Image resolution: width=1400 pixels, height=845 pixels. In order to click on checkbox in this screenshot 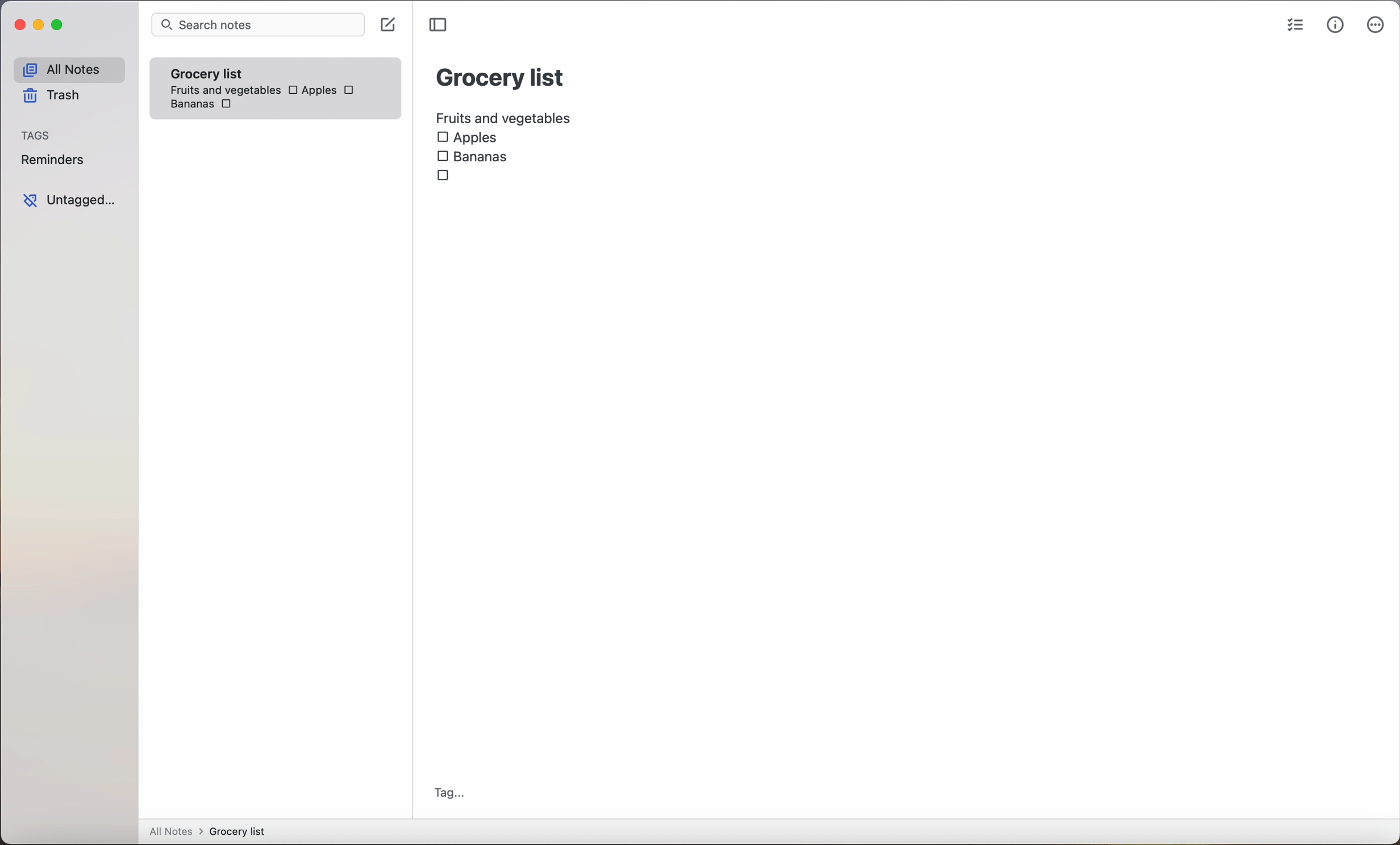, I will do `click(227, 104)`.